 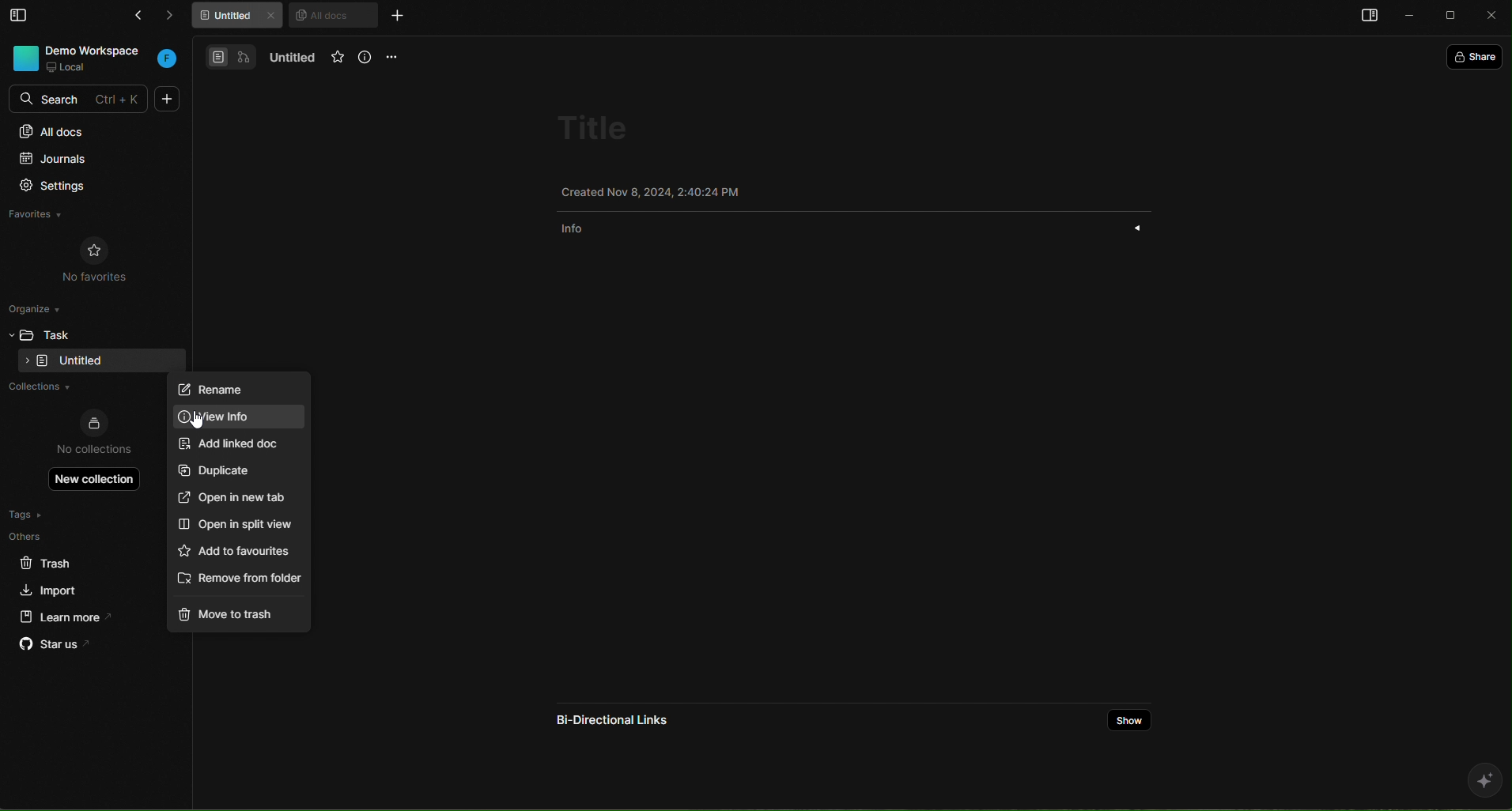 I want to click on open in split view, so click(x=238, y=525).